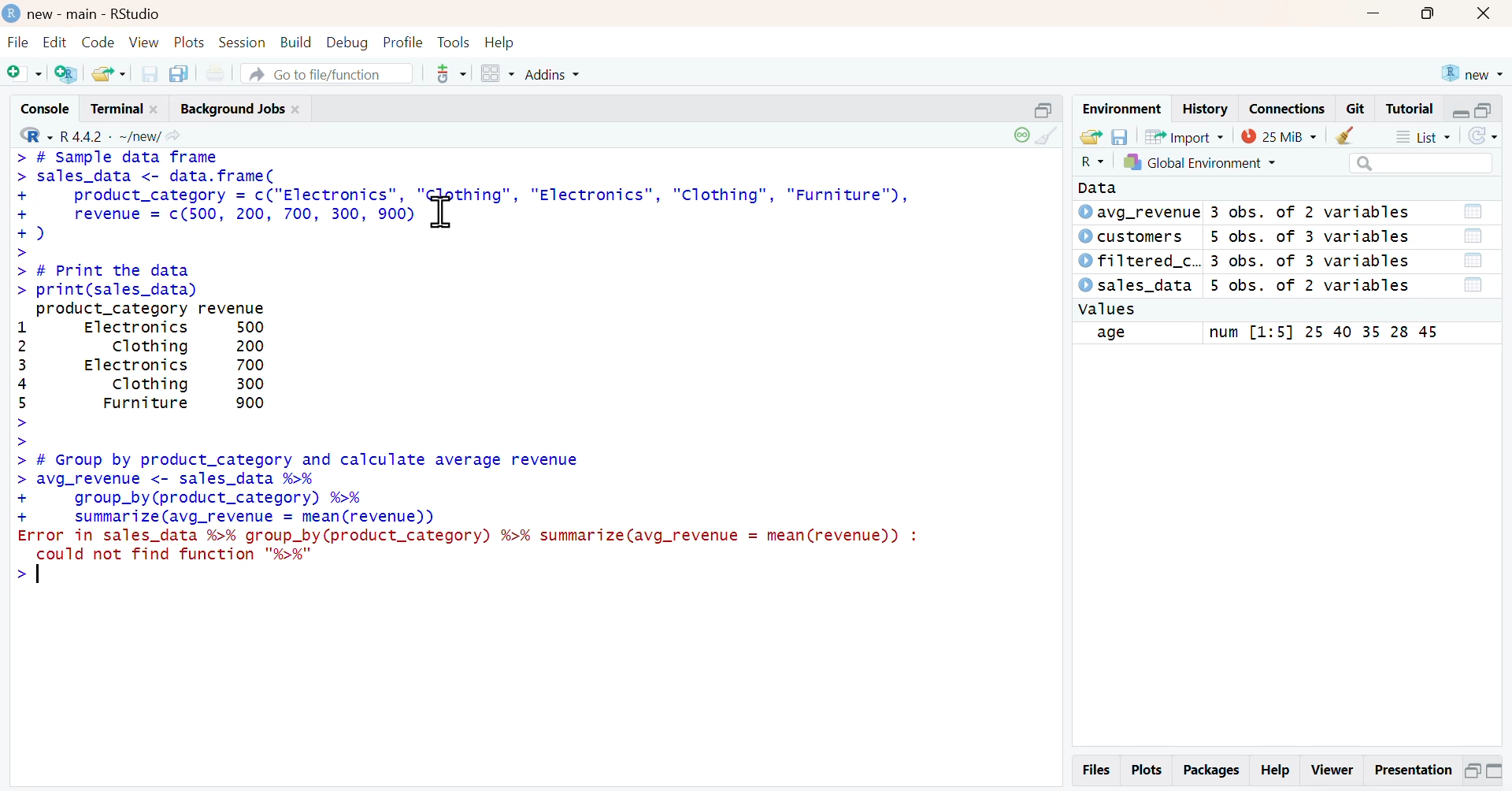  I want to click on cursor, so click(440, 212).